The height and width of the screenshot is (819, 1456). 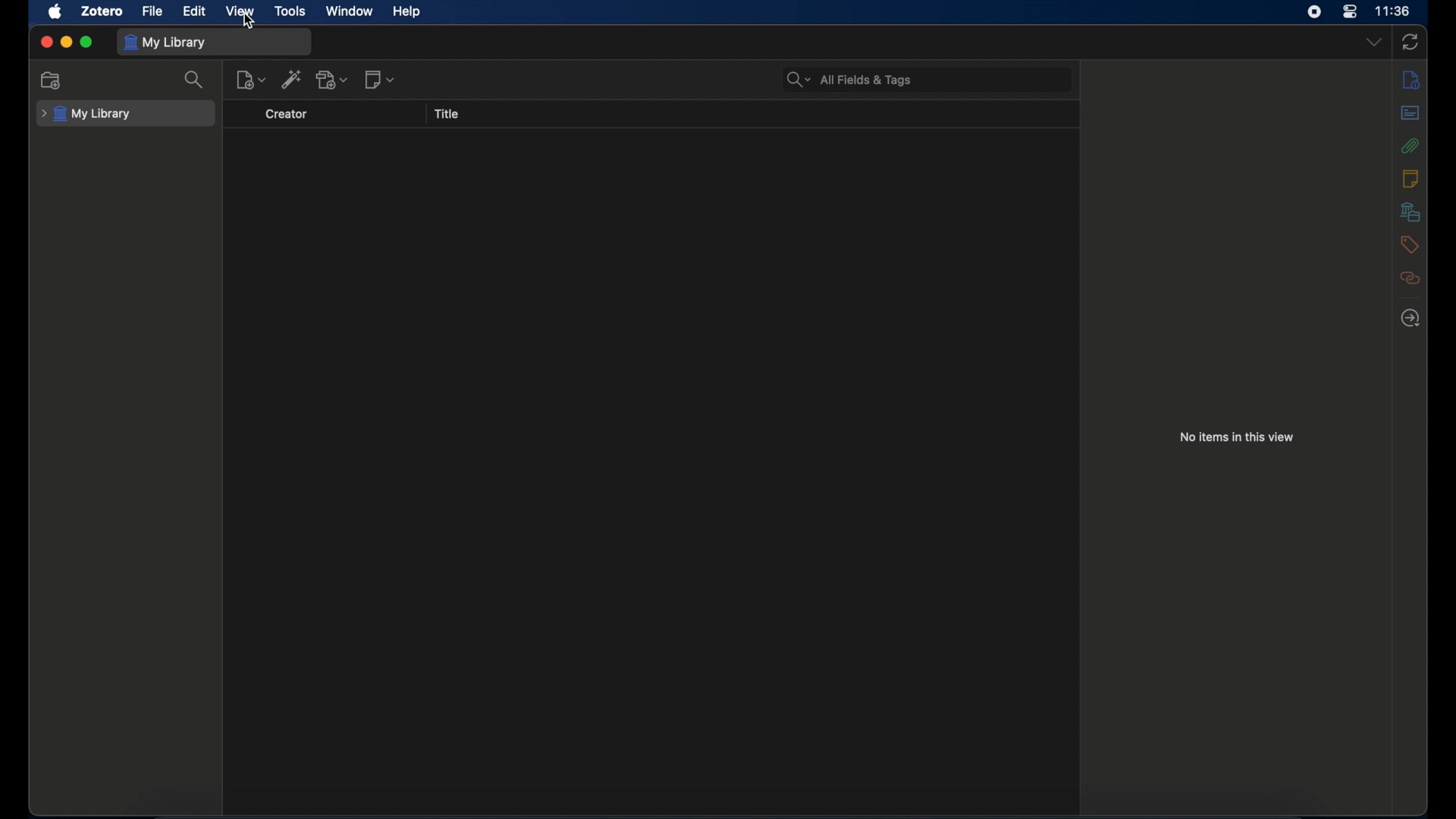 What do you see at coordinates (1411, 212) in the screenshot?
I see `libraries` at bounding box center [1411, 212].